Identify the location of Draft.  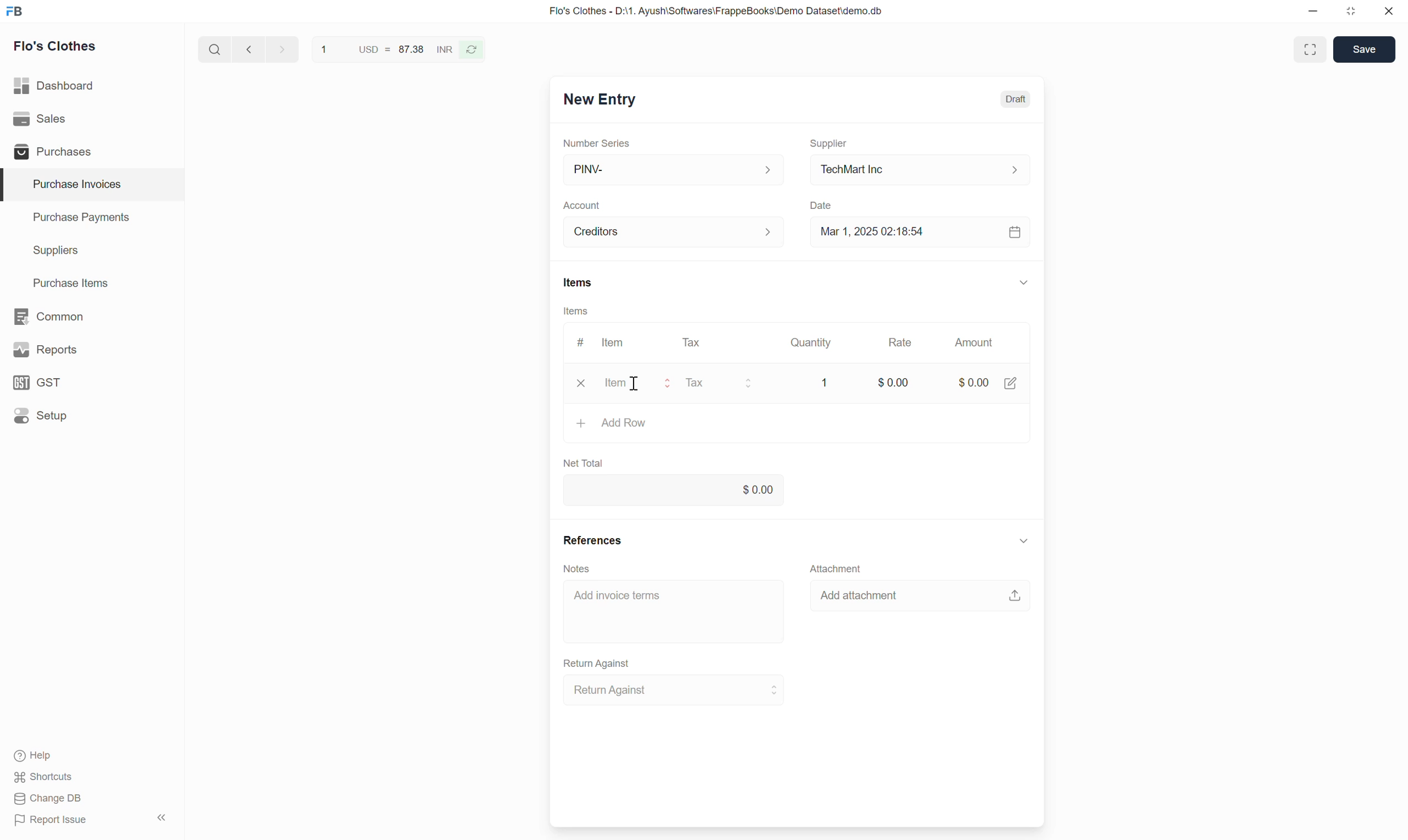
(1016, 100).